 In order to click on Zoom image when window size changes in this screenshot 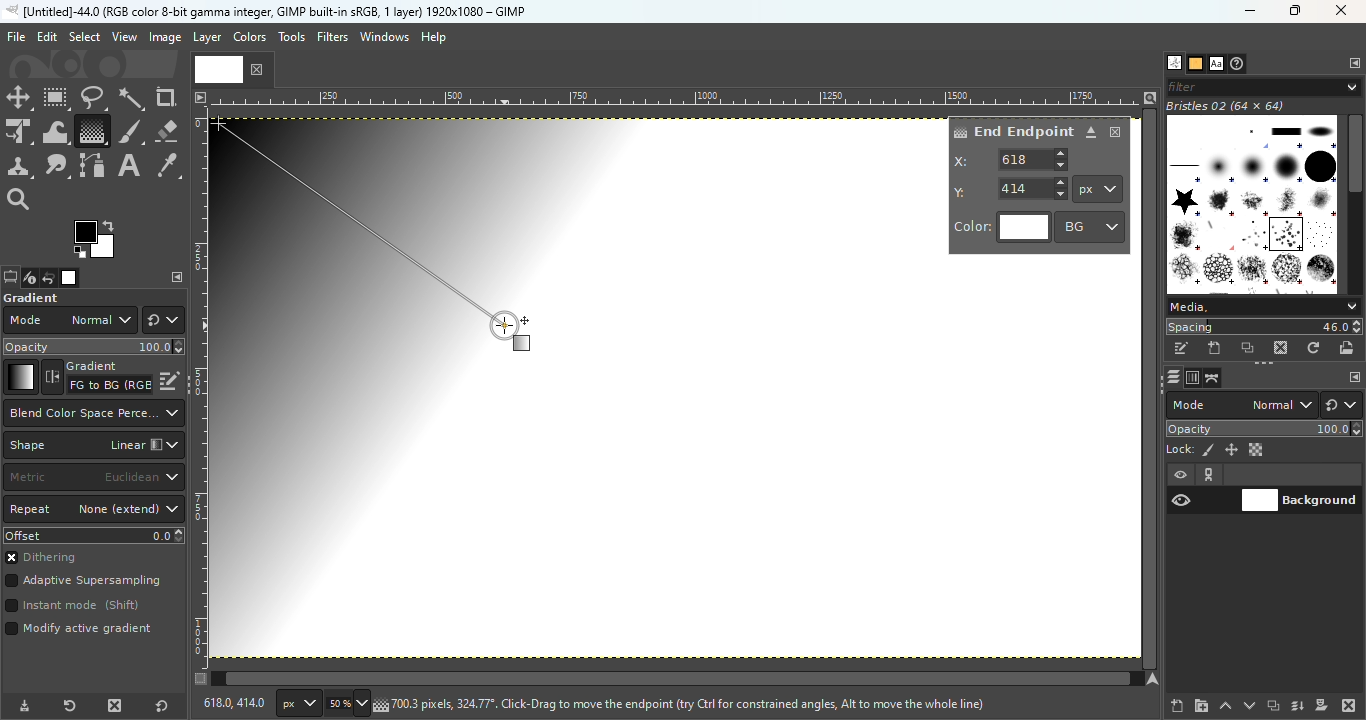, I will do `click(1150, 97)`.